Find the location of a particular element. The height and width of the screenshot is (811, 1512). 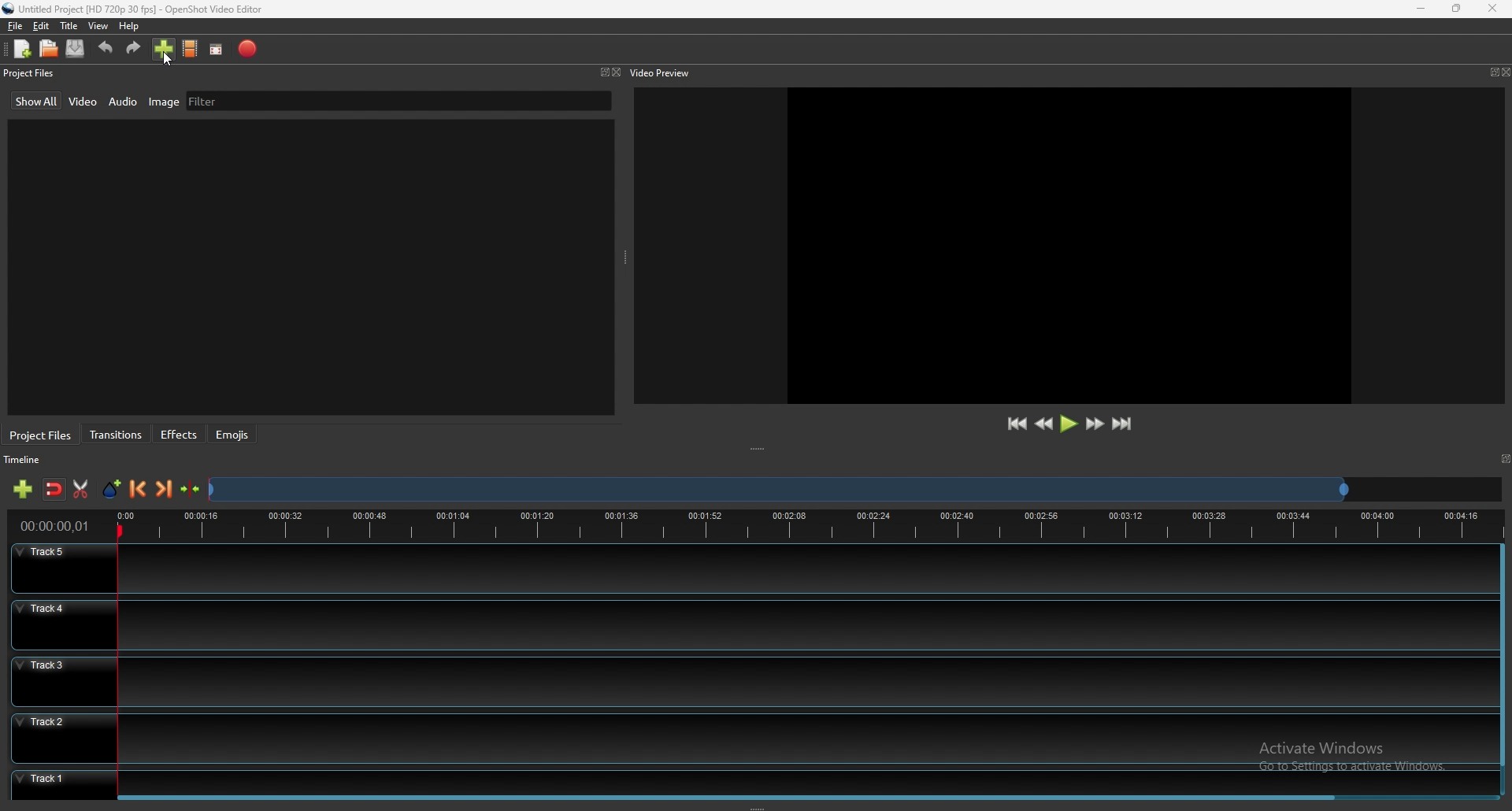

seek is located at coordinates (777, 491).